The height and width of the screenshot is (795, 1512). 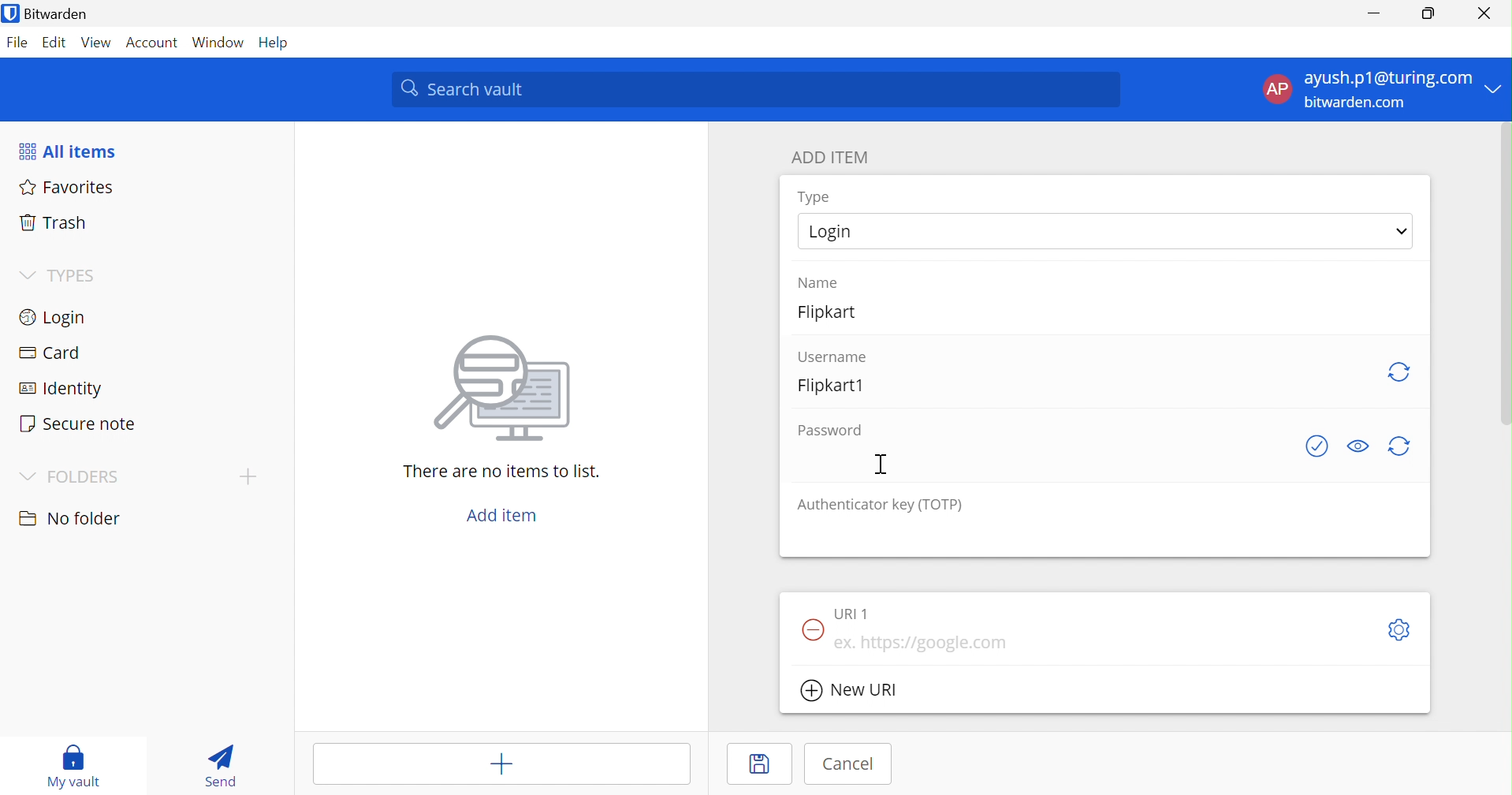 What do you see at coordinates (1361, 444) in the screenshot?
I see `Toggle Visibility` at bounding box center [1361, 444].